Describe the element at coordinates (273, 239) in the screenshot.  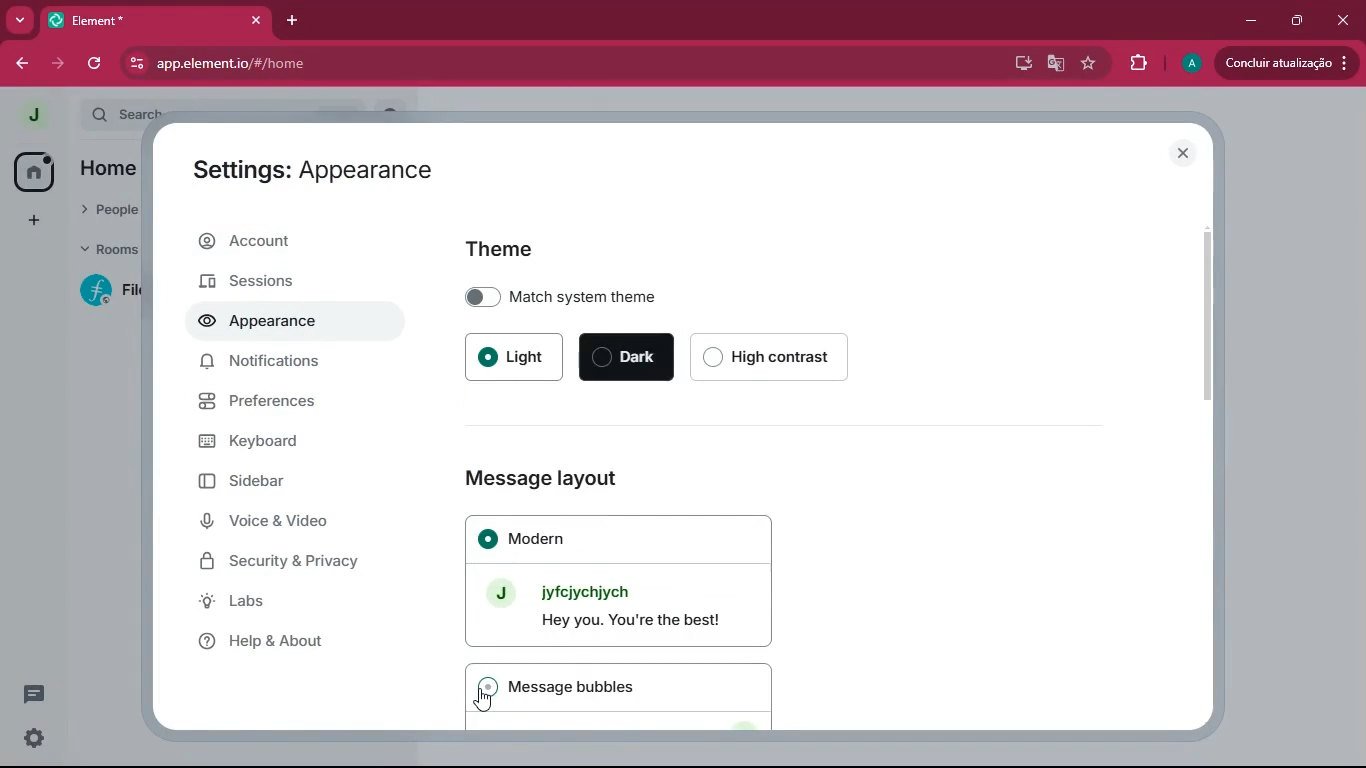
I see `Account` at that location.